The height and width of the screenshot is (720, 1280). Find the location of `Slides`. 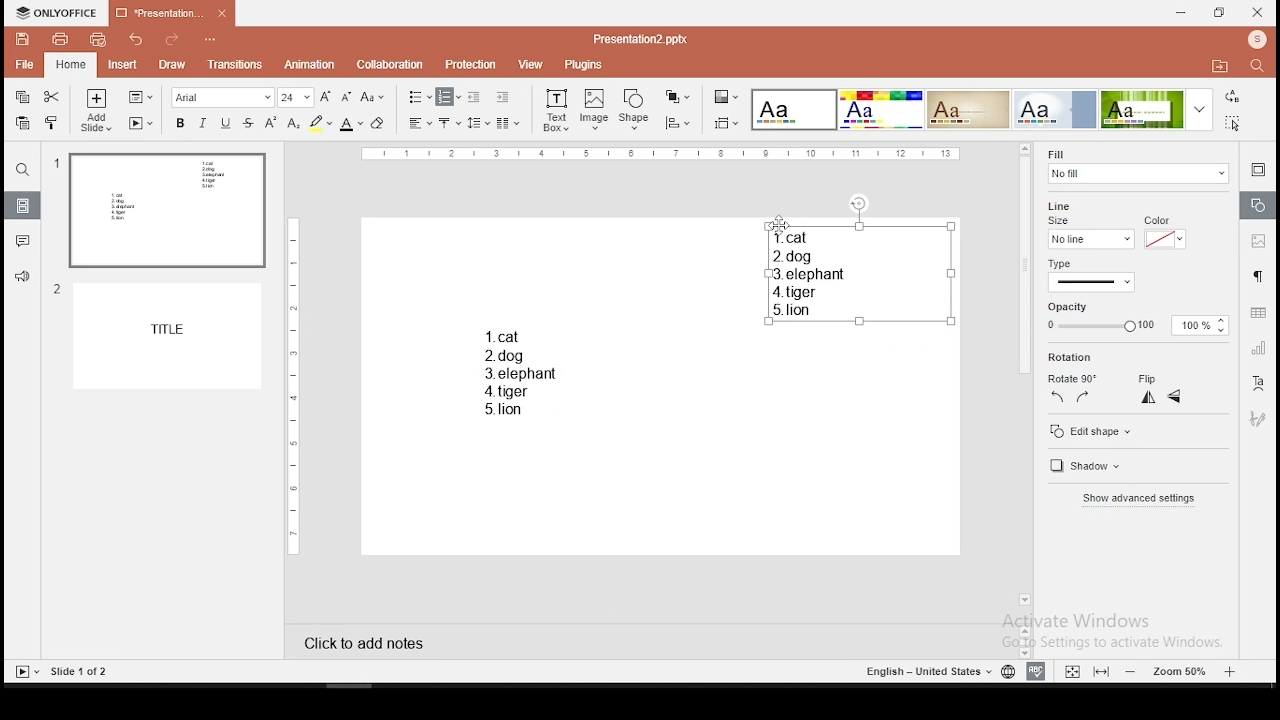

Slides is located at coordinates (62, 671).